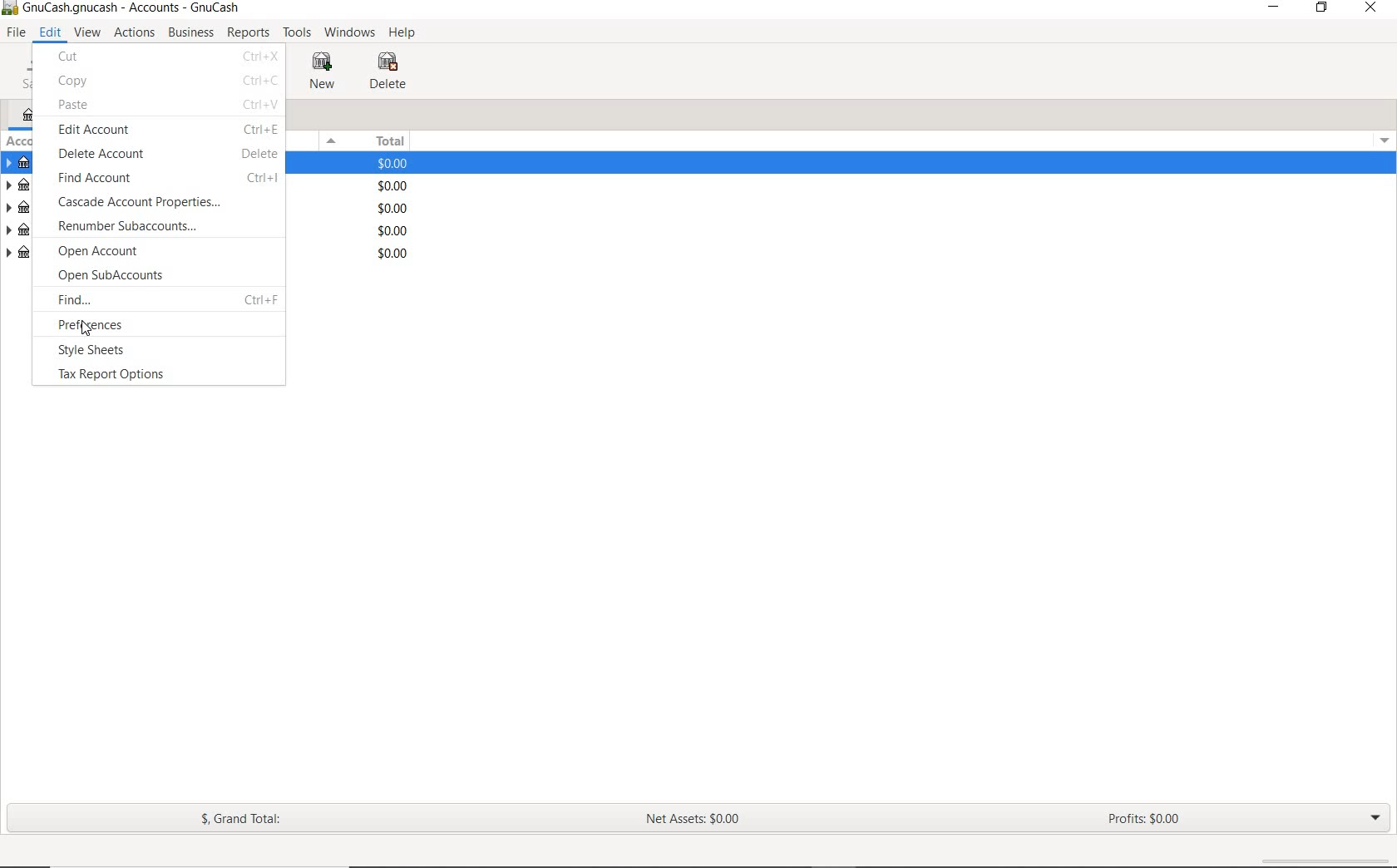  What do you see at coordinates (167, 106) in the screenshot?
I see `PASTE` at bounding box center [167, 106].